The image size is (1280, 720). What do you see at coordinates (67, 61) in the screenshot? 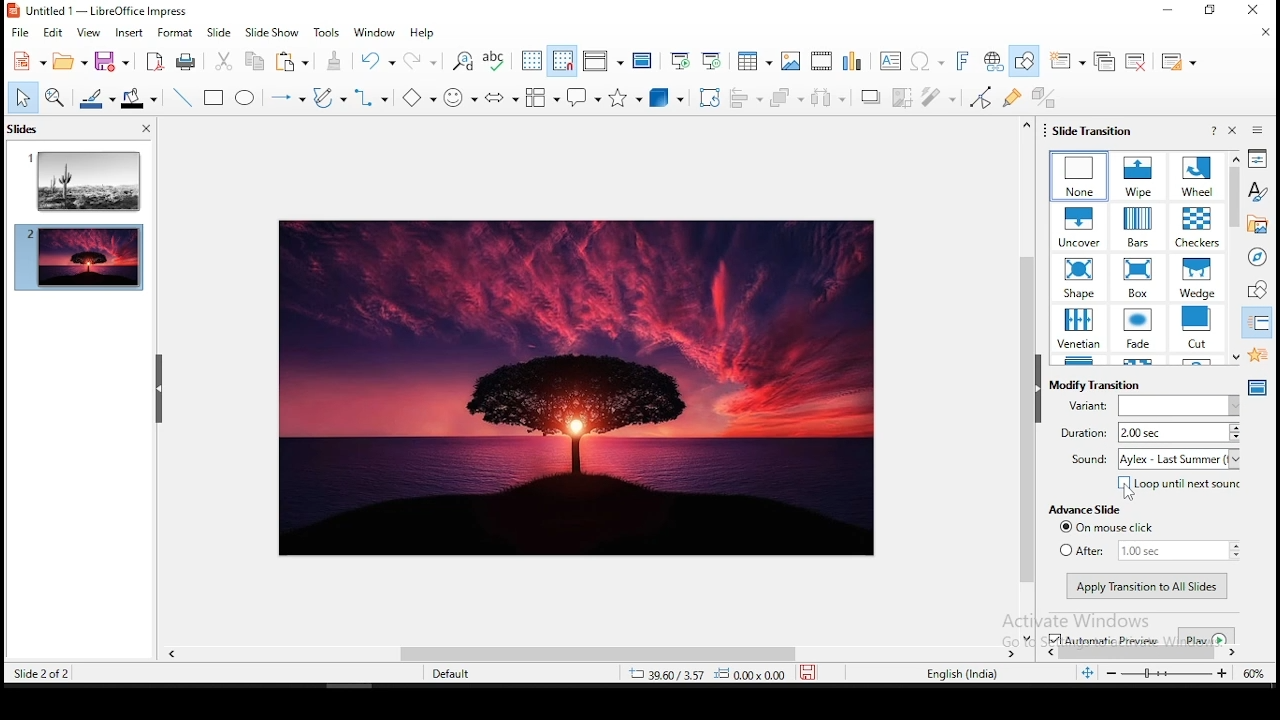
I see `open` at bounding box center [67, 61].